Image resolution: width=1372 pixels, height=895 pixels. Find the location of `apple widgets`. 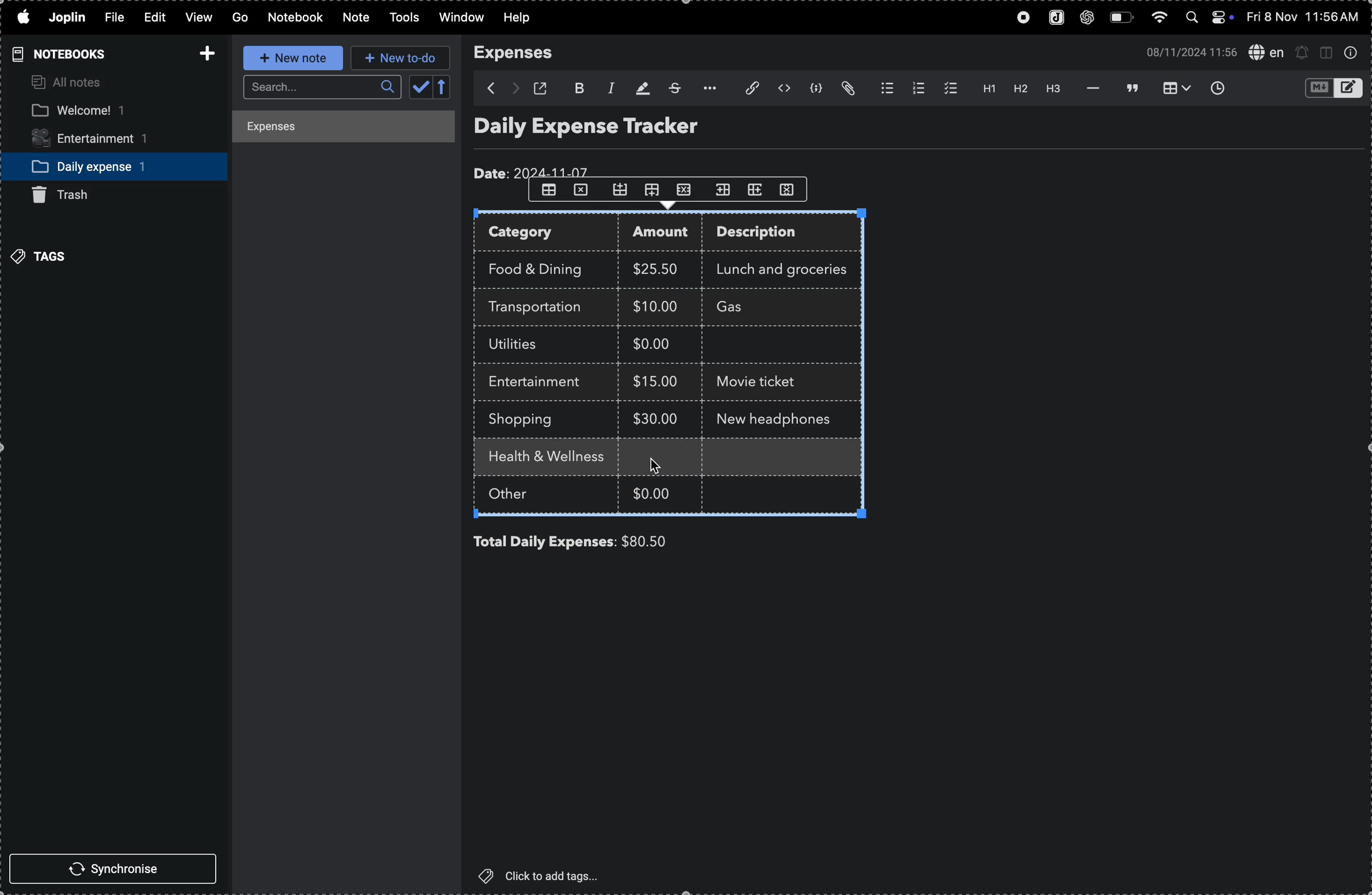

apple widgets is located at coordinates (1208, 18).